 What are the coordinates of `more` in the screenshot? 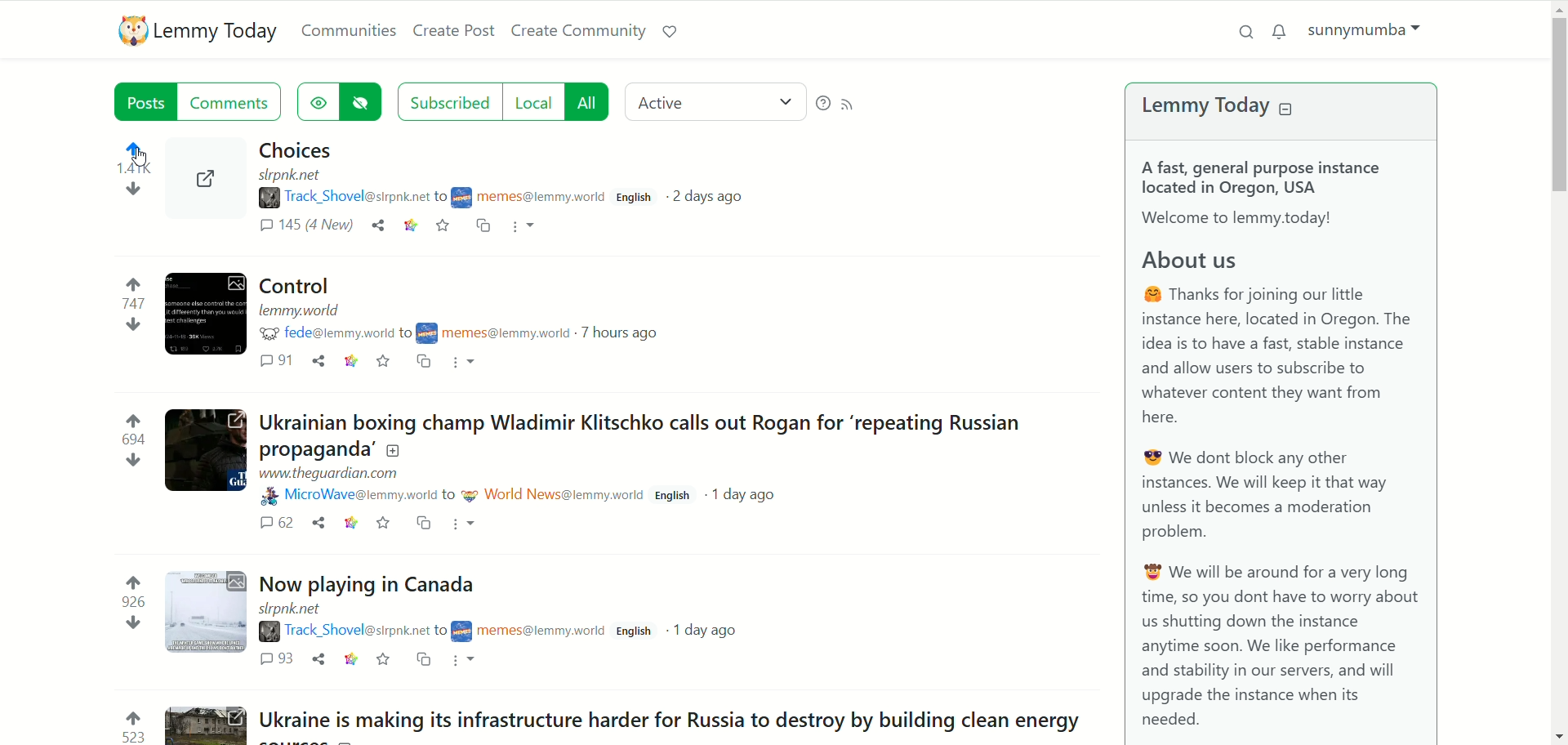 It's located at (465, 662).